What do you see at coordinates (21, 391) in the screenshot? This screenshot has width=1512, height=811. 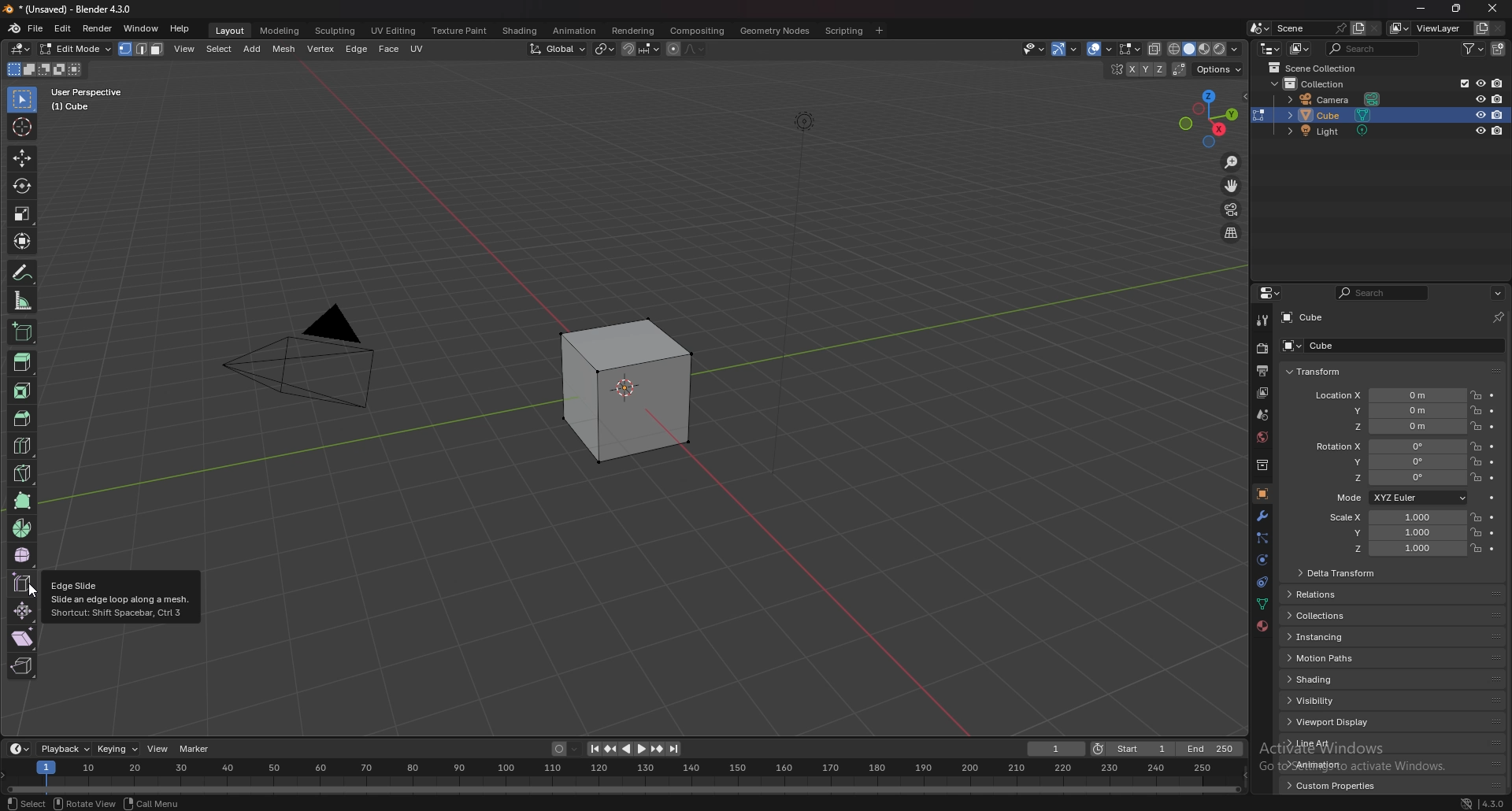 I see `inset faces` at bounding box center [21, 391].